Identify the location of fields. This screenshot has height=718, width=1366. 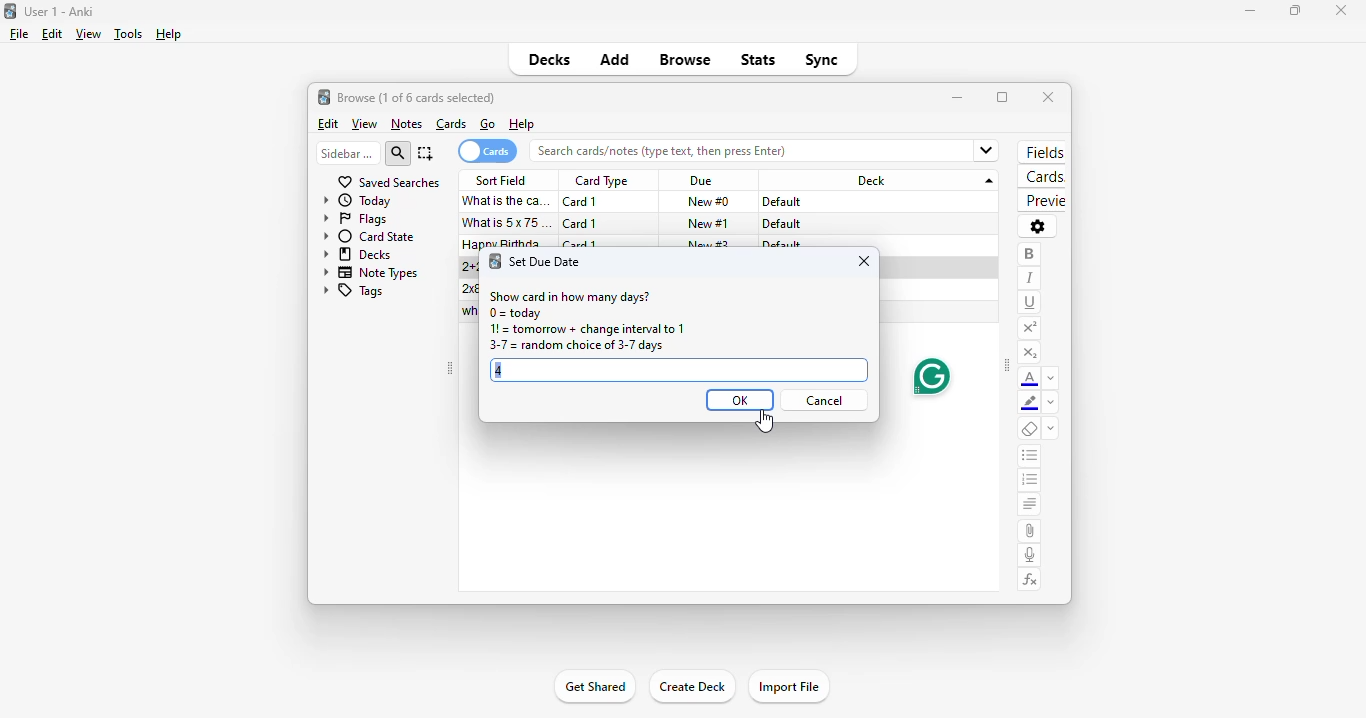
(1045, 152).